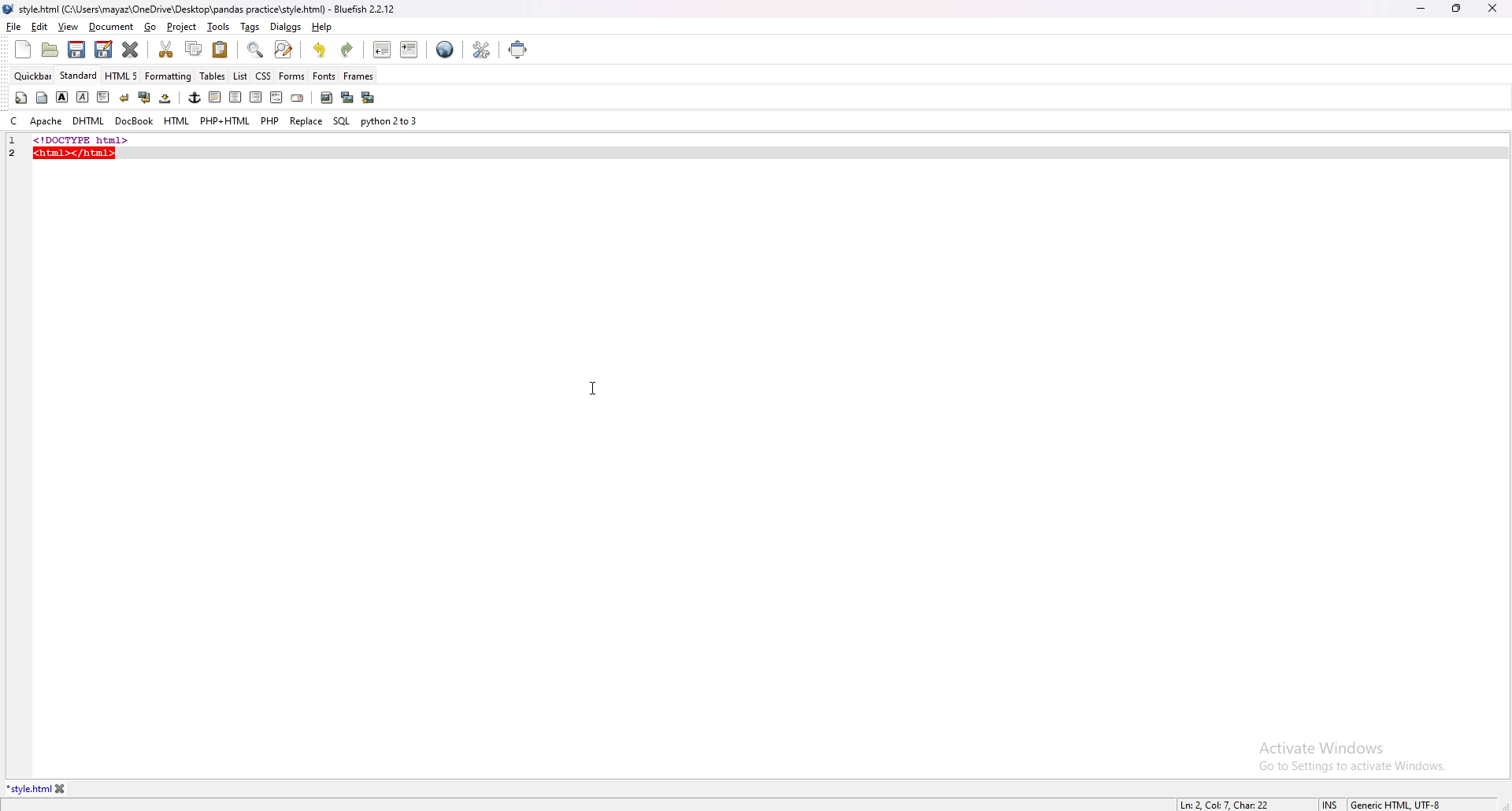 The width and height of the screenshot is (1512, 811). What do you see at coordinates (1330, 804) in the screenshot?
I see `cursor mode` at bounding box center [1330, 804].